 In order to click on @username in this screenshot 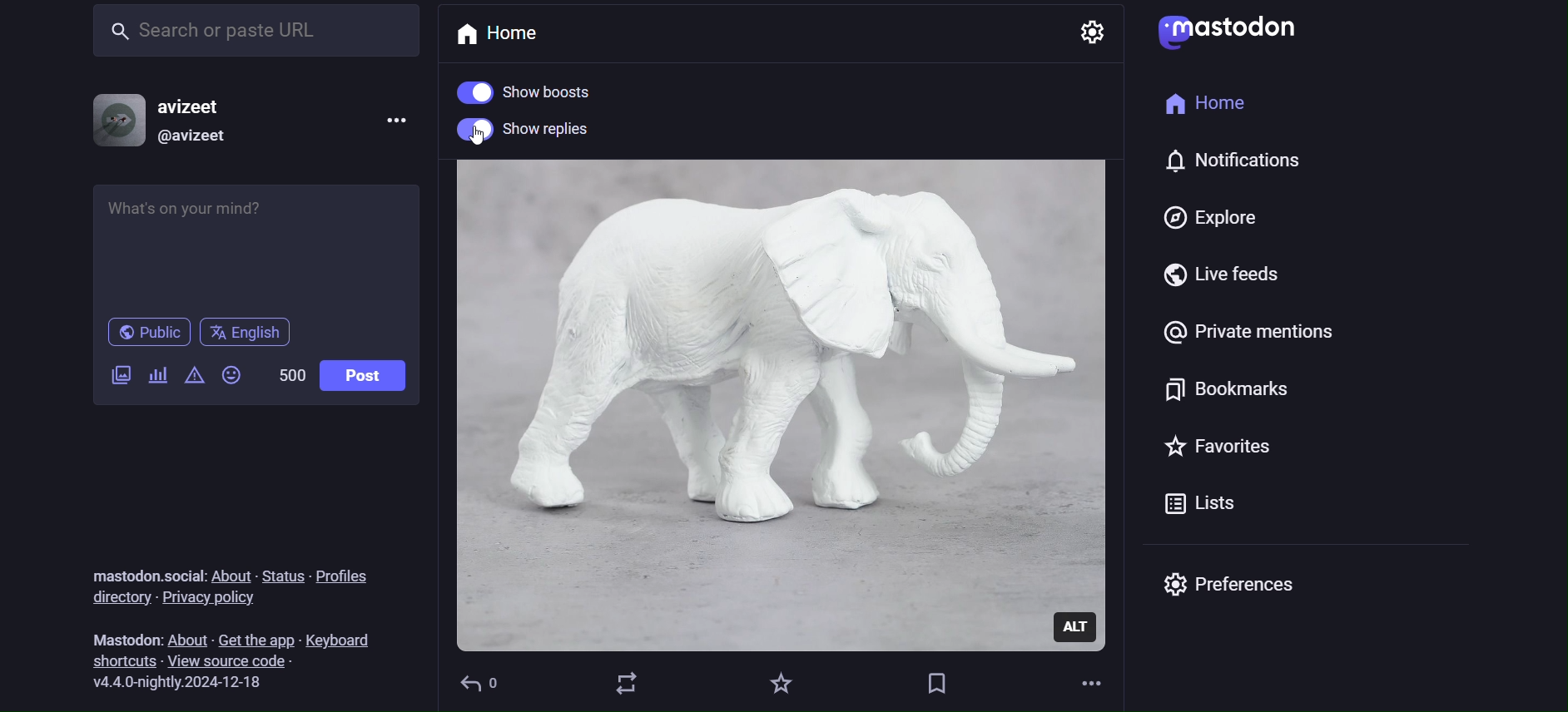, I will do `click(201, 136)`.